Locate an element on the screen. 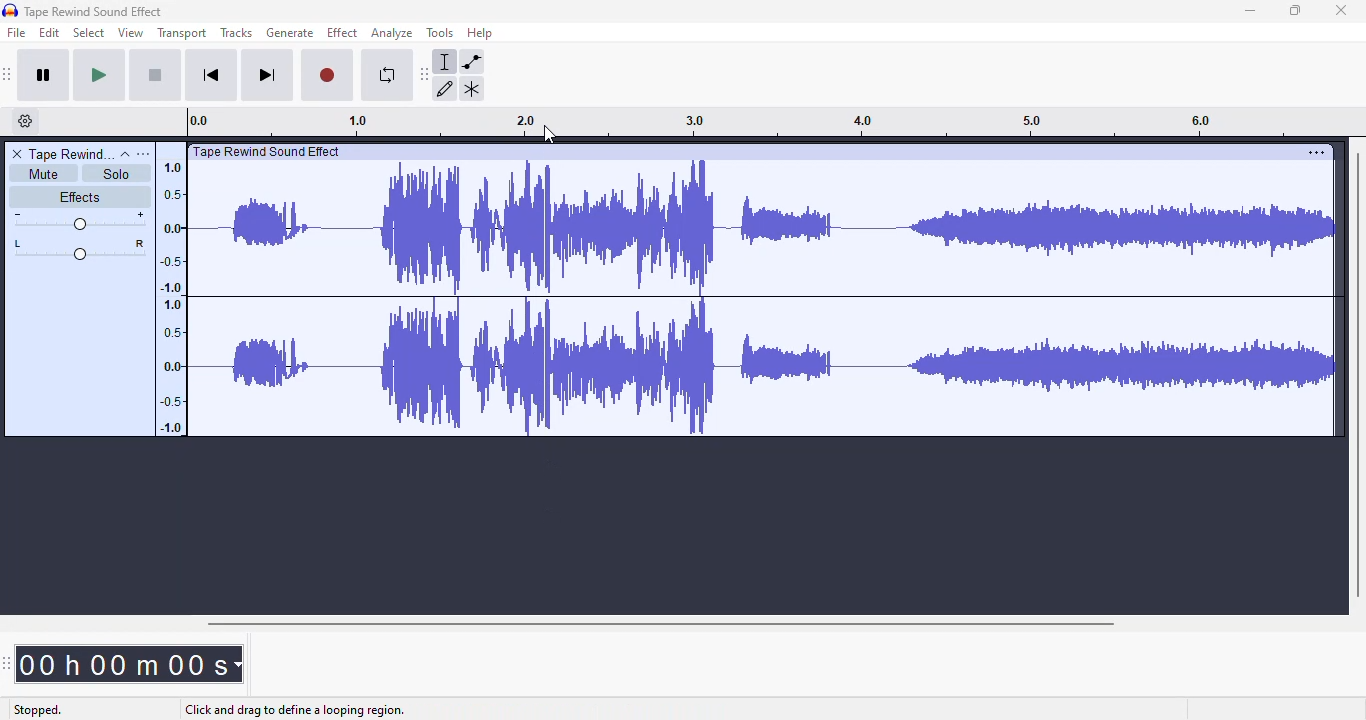  horizontal scroll bar is located at coordinates (657, 623).